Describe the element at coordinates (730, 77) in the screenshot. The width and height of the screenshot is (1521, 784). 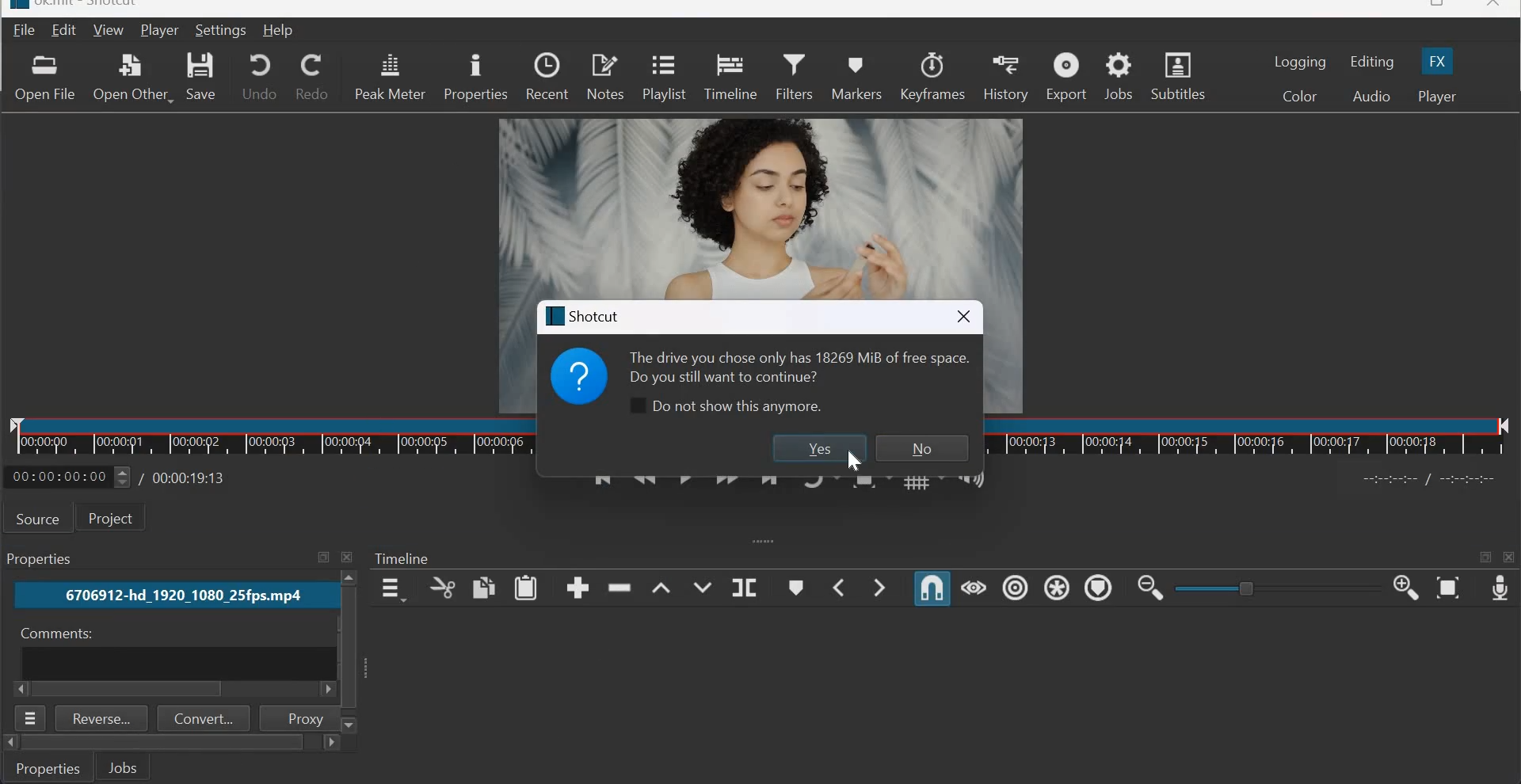
I see `Timeline` at that location.